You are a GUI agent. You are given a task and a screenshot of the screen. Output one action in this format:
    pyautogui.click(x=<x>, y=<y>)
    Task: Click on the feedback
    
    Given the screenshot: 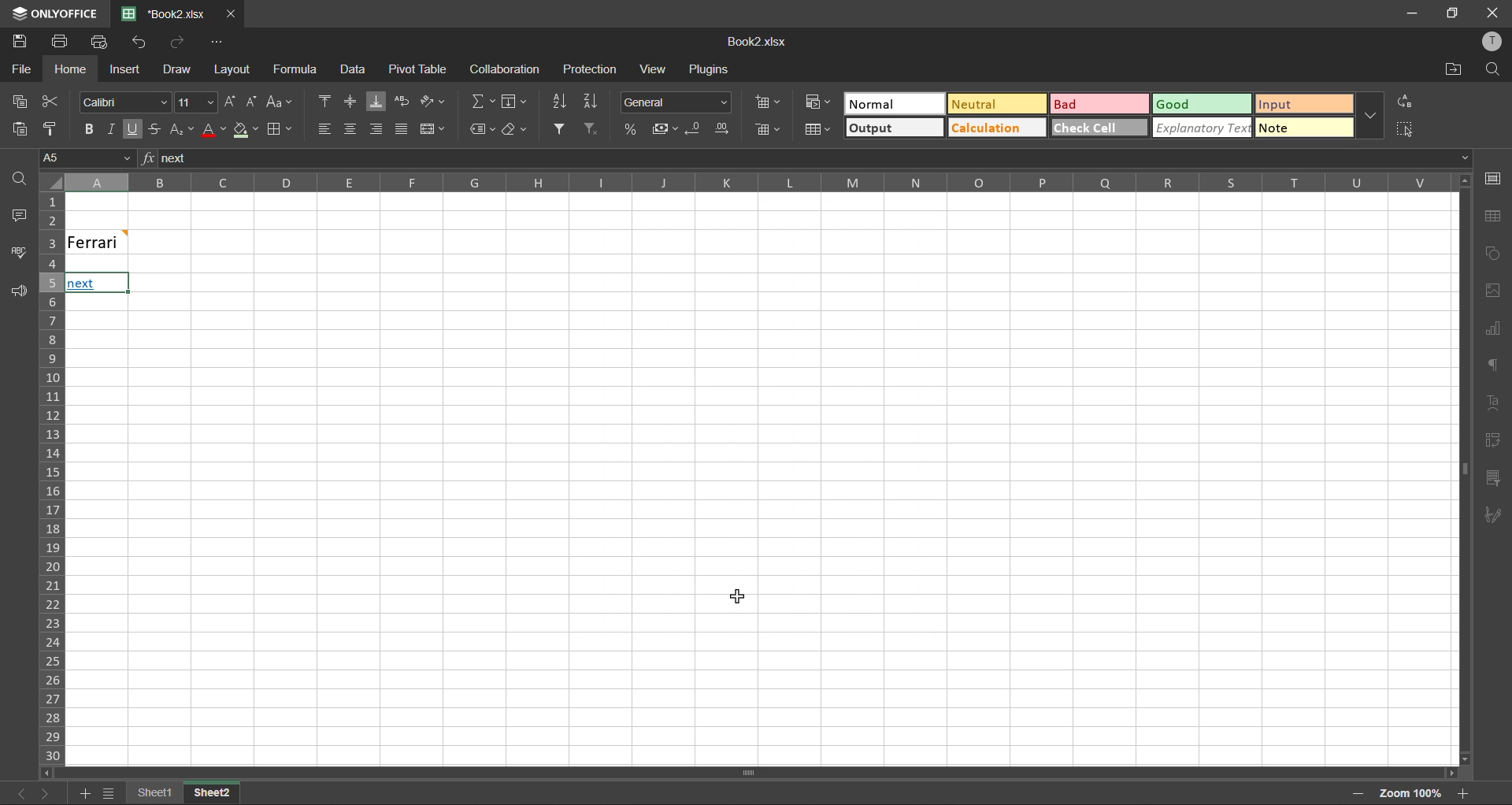 What is the action you would take?
    pyautogui.click(x=21, y=295)
    